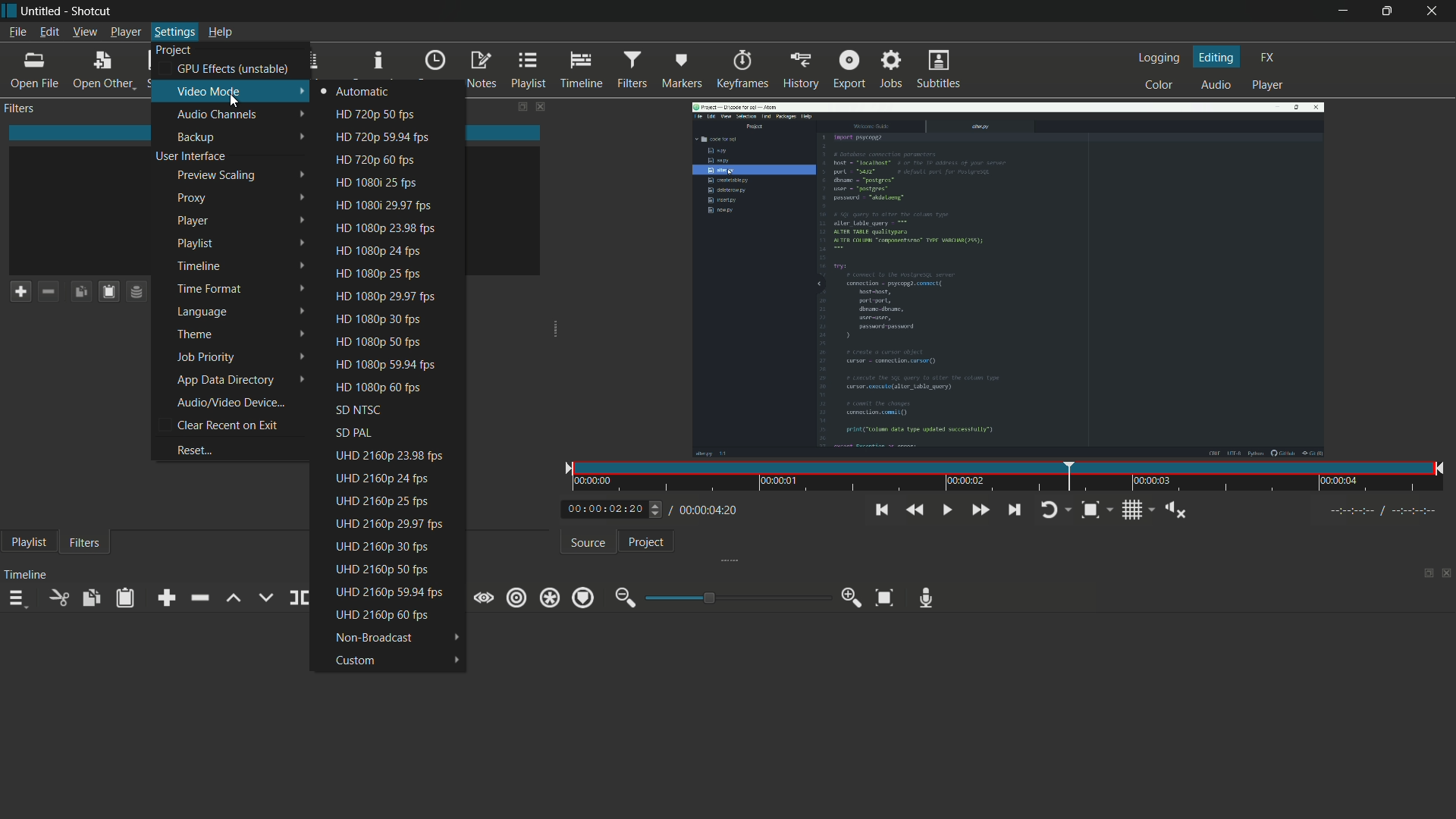 The height and width of the screenshot is (819, 1456). I want to click on playlist, so click(26, 544).